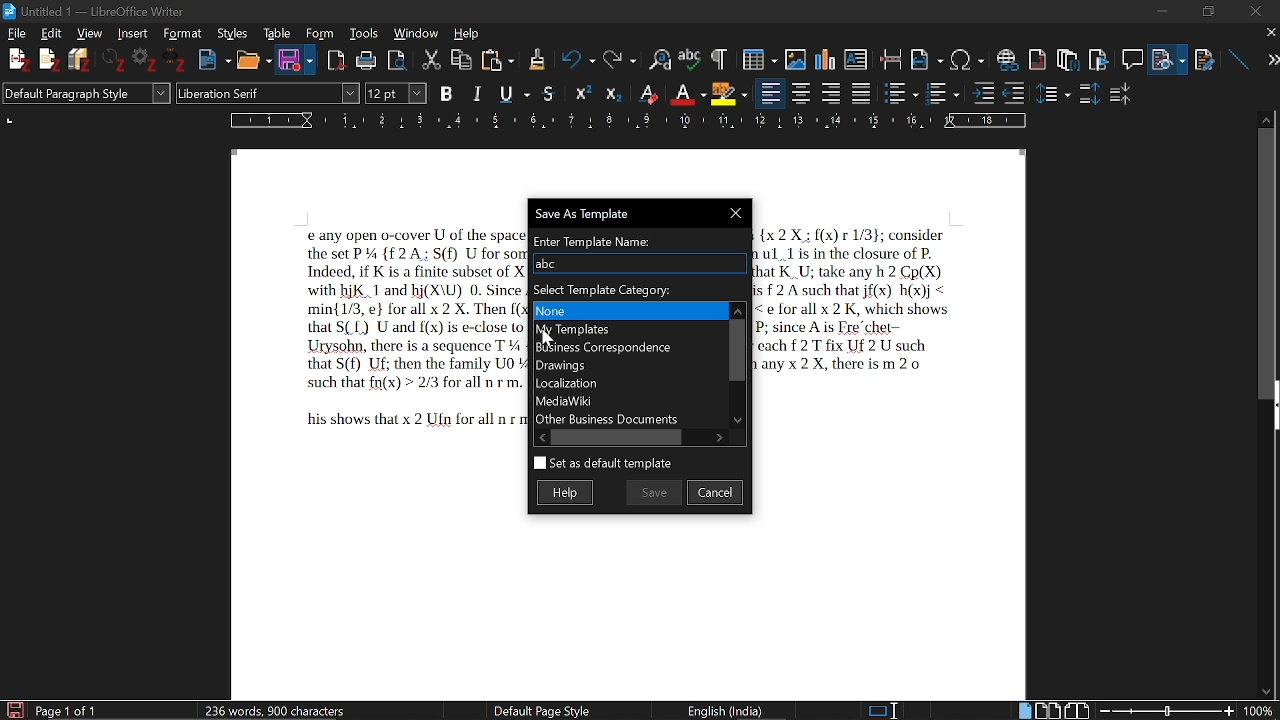 The image size is (1280, 720). Describe the element at coordinates (858, 55) in the screenshot. I see `Insert text` at that location.